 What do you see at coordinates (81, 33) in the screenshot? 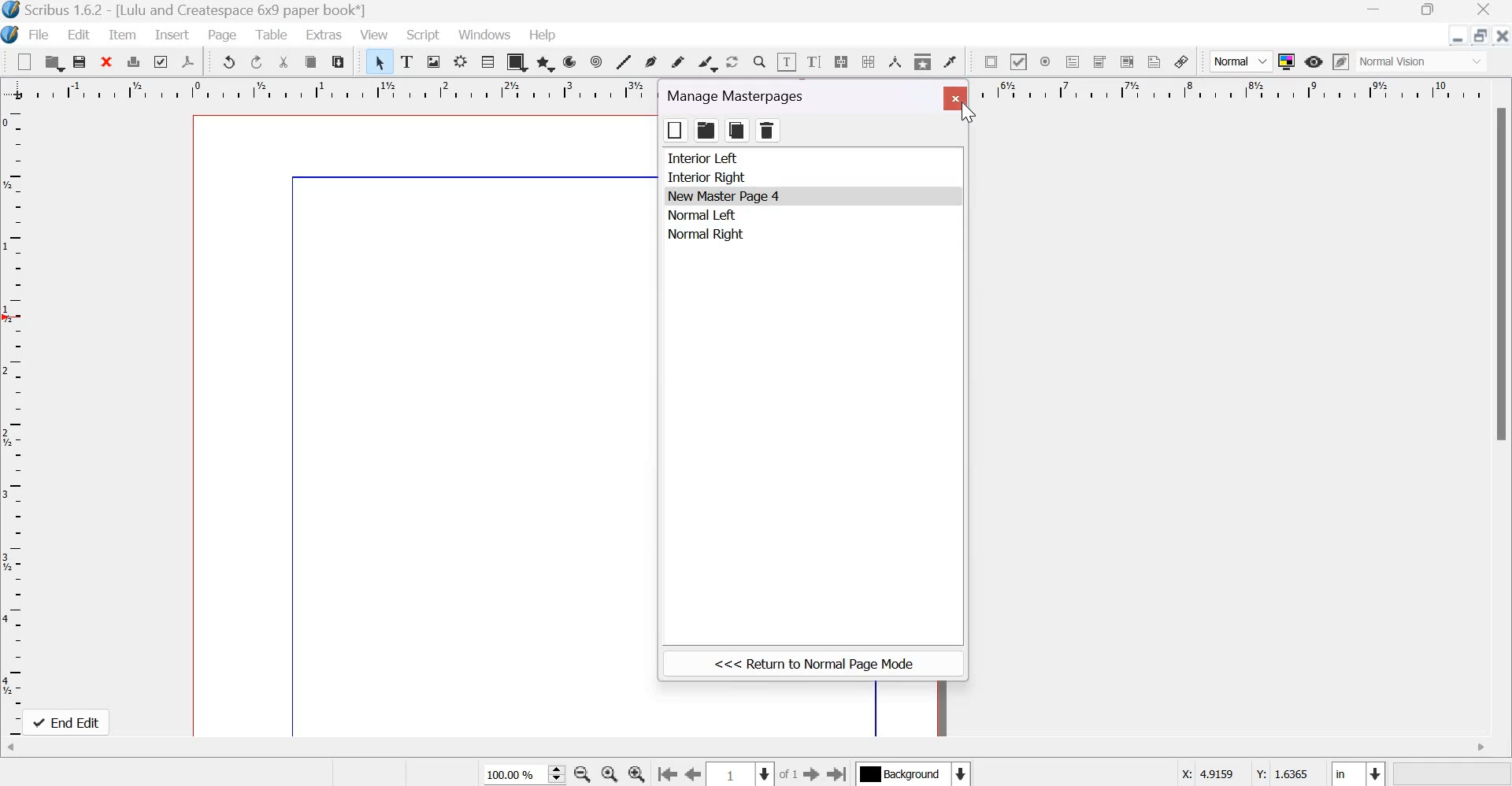
I see `Edit` at bounding box center [81, 33].